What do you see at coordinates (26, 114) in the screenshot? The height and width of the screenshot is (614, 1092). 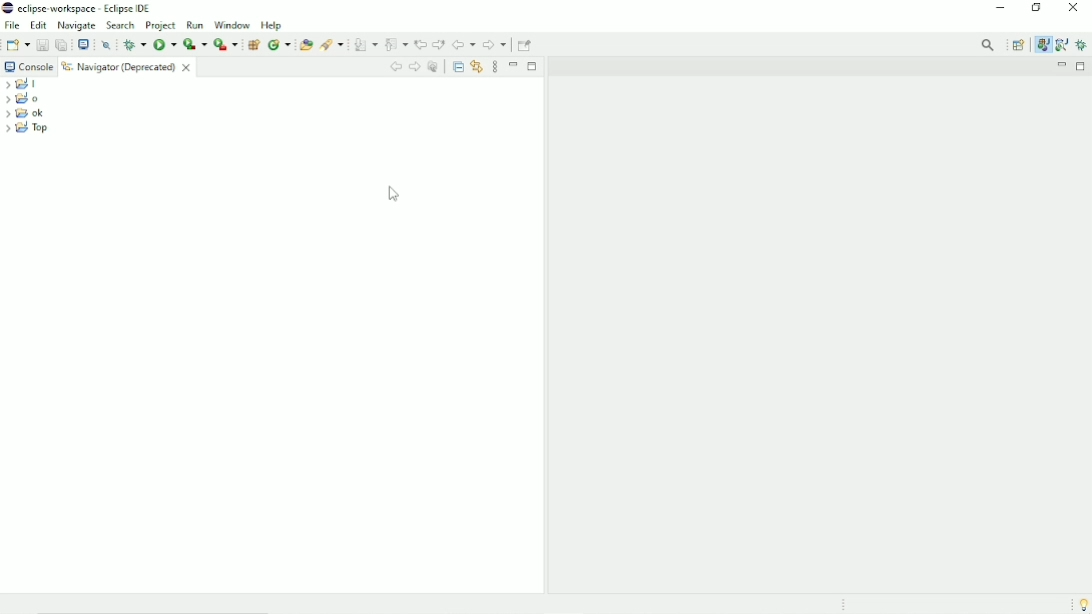 I see `ok` at bounding box center [26, 114].